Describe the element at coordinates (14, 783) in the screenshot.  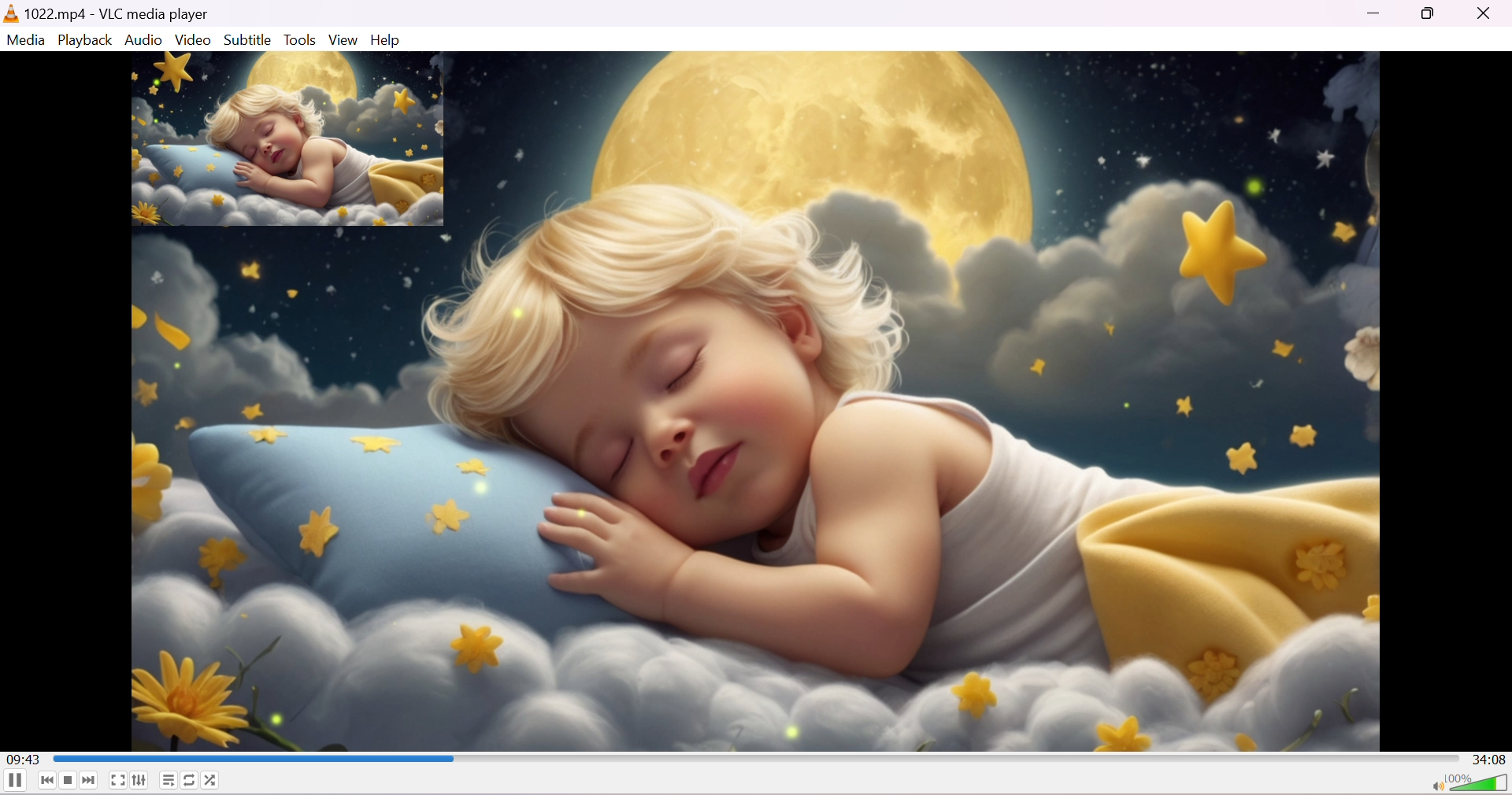
I see `Pause the playback` at that location.